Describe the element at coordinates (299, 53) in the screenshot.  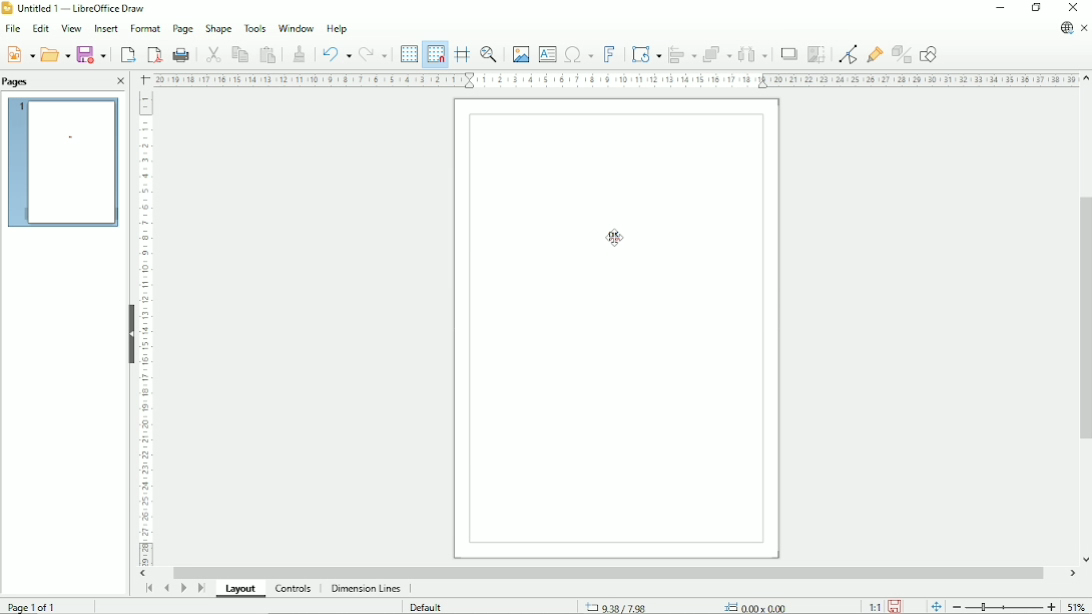
I see `Clone formatting` at that location.